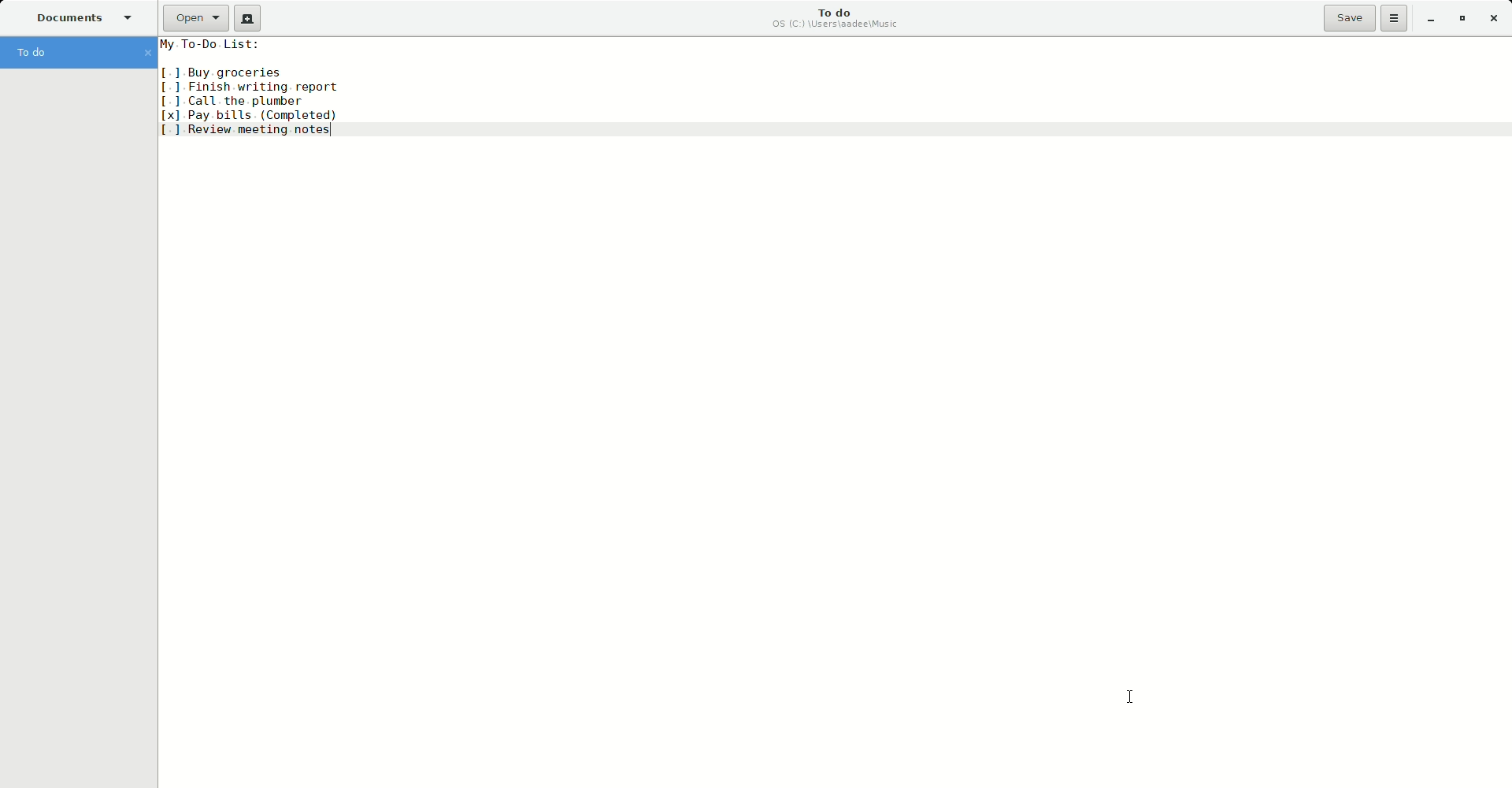 This screenshot has width=1512, height=788. What do you see at coordinates (194, 17) in the screenshot?
I see `Open` at bounding box center [194, 17].